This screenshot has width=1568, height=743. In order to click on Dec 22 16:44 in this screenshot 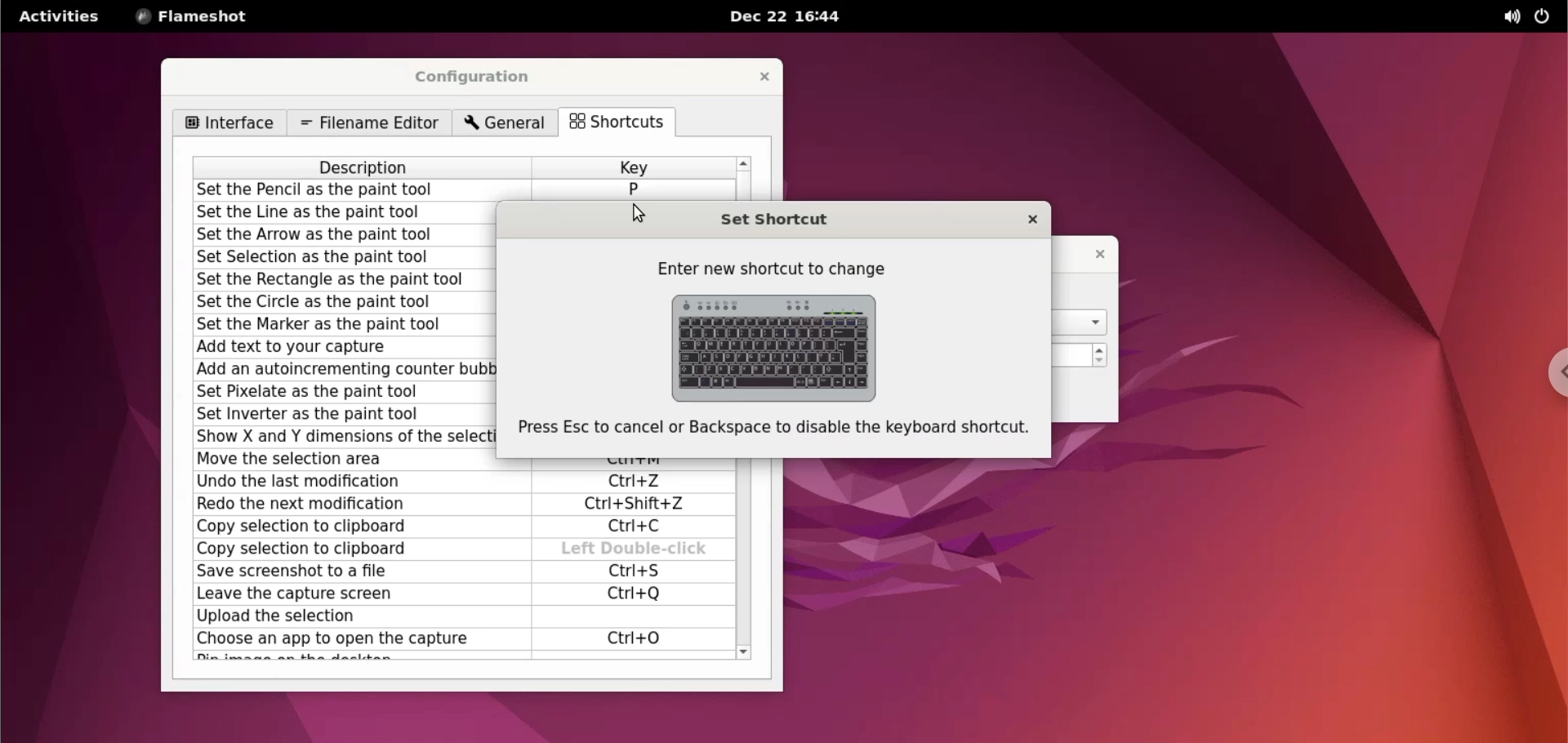, I will do `click(791, 16)`.